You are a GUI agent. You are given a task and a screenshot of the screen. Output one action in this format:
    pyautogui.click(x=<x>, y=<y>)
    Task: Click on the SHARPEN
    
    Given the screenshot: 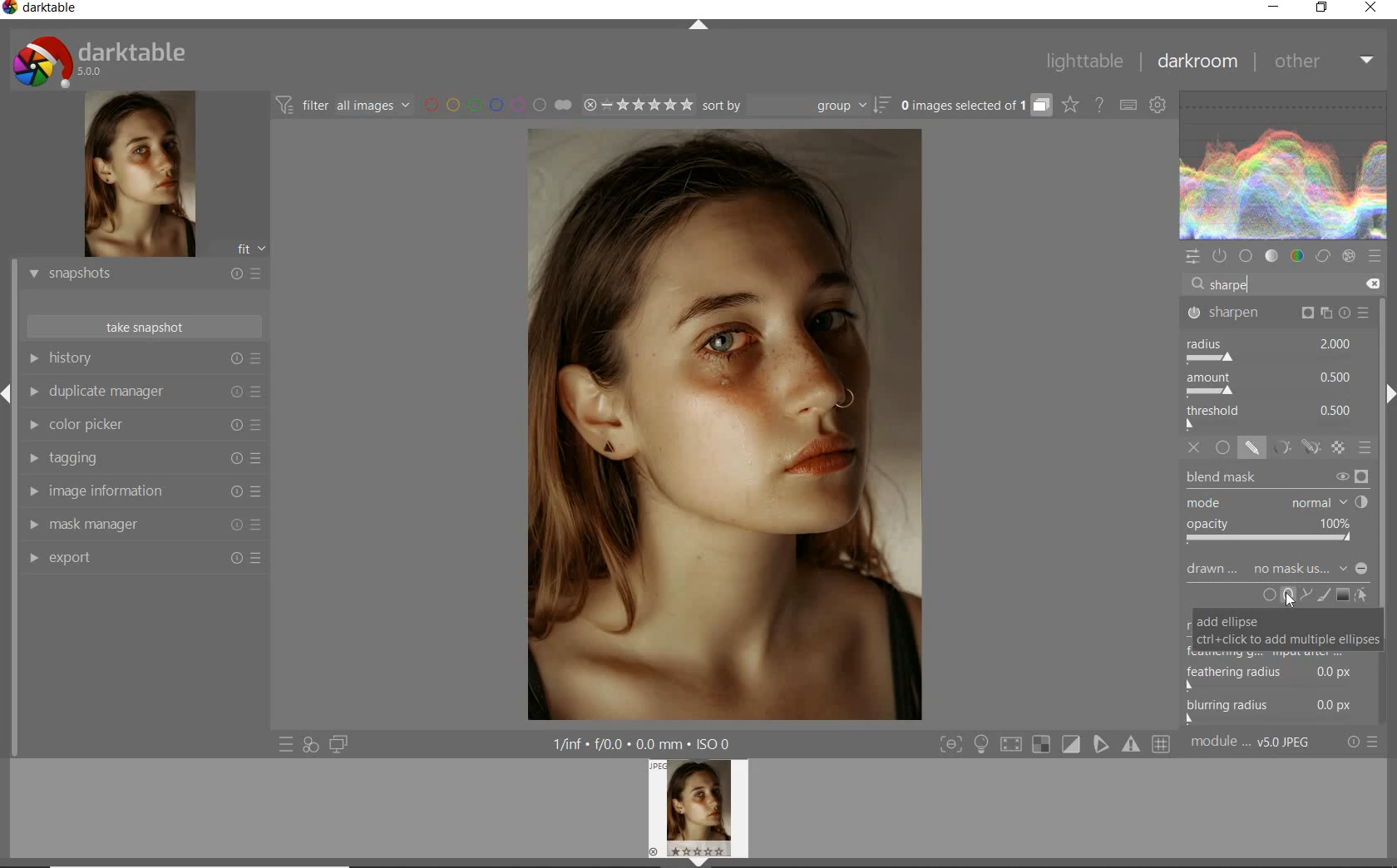 What is the action you would take?
    pyautogui.click(x=1279, y=314)
    